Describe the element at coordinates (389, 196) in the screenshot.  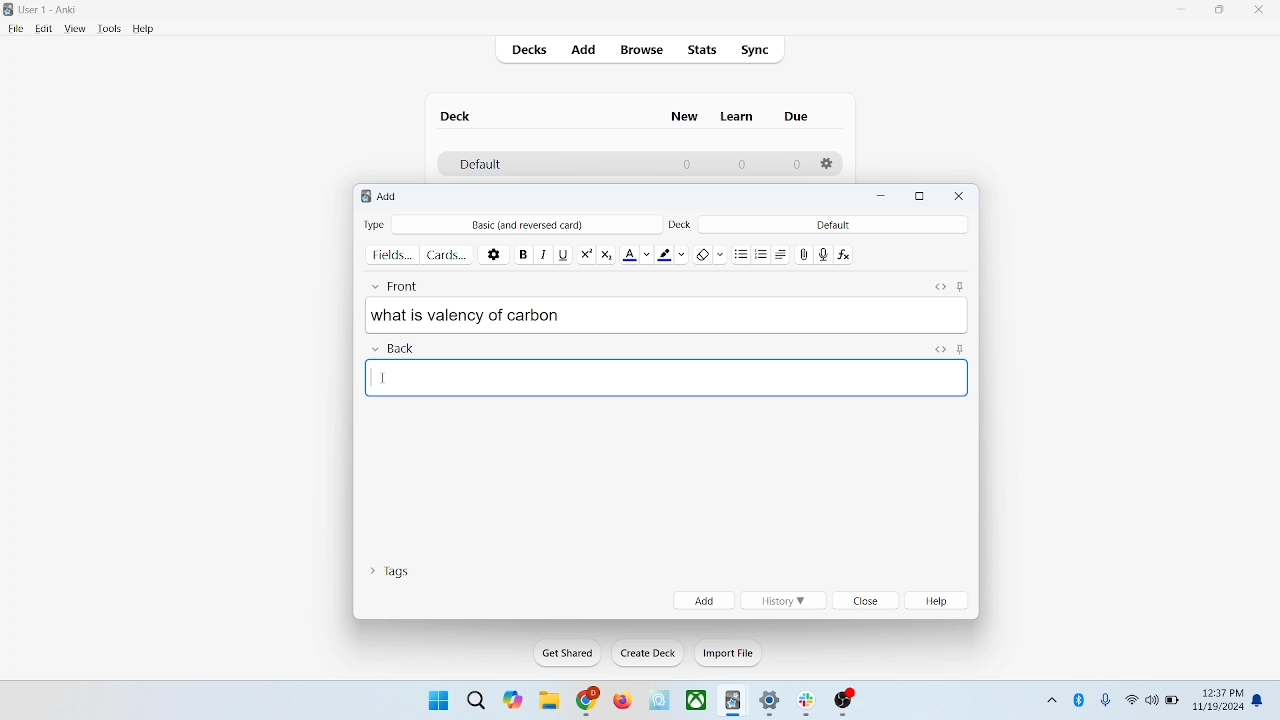
I see `add` at that location.